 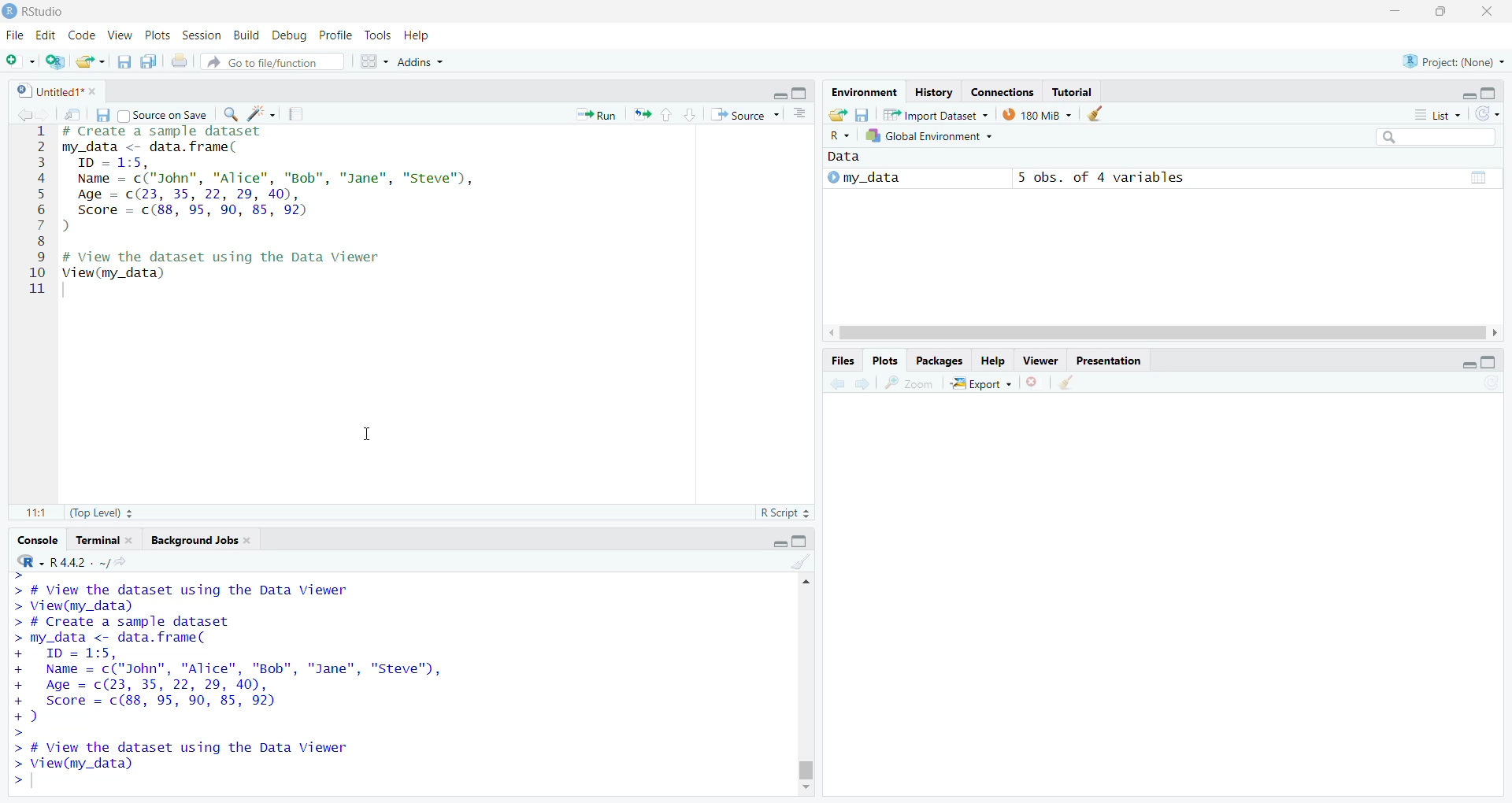 What do you see at coordinates (1488, 115) in the screenshot?
I see `List of the objects in the Environment` at bounding box center [1488, 115].